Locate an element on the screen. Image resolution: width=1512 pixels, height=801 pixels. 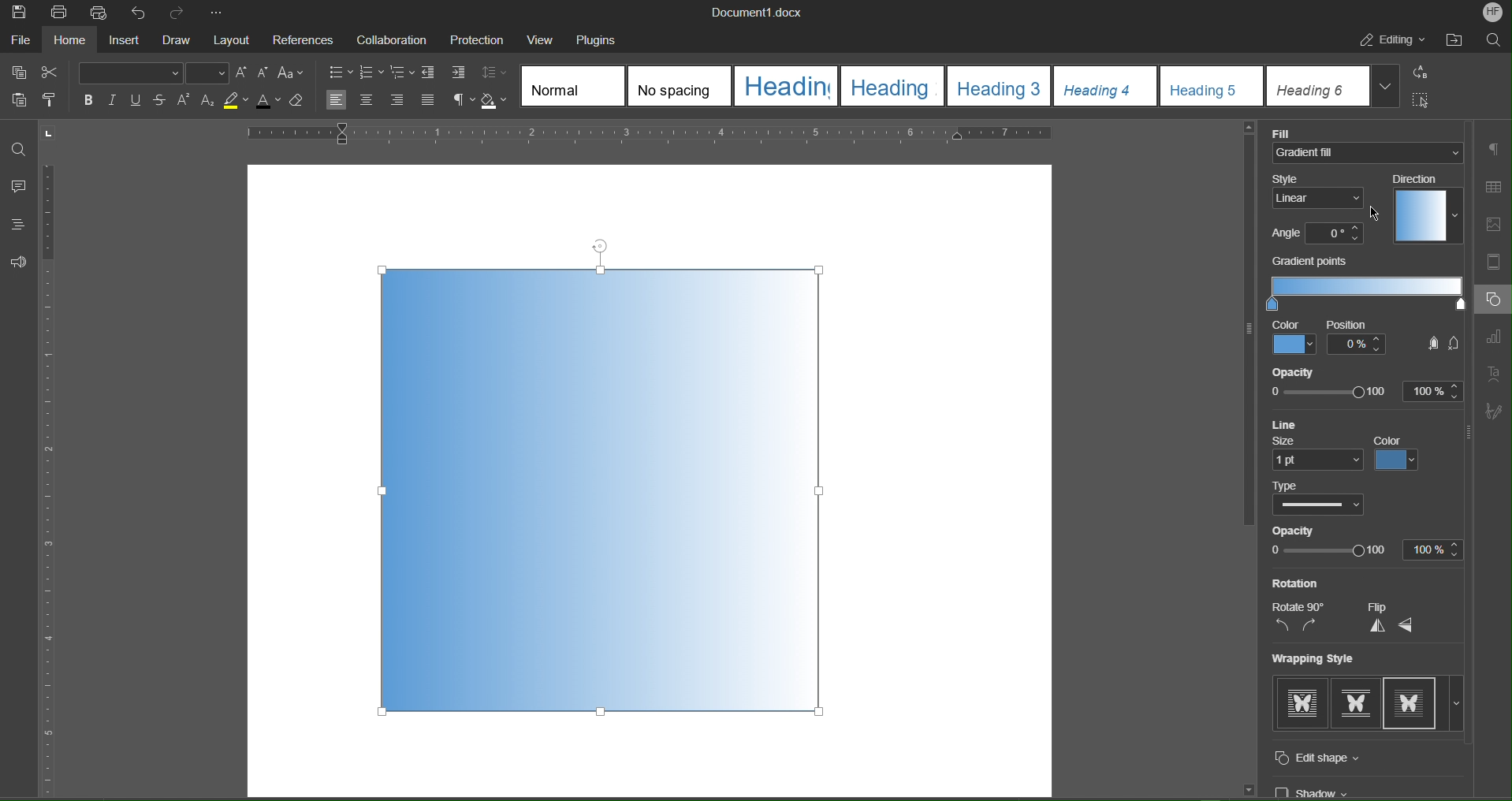
Heading 3 is located at coordinates (999, 86).